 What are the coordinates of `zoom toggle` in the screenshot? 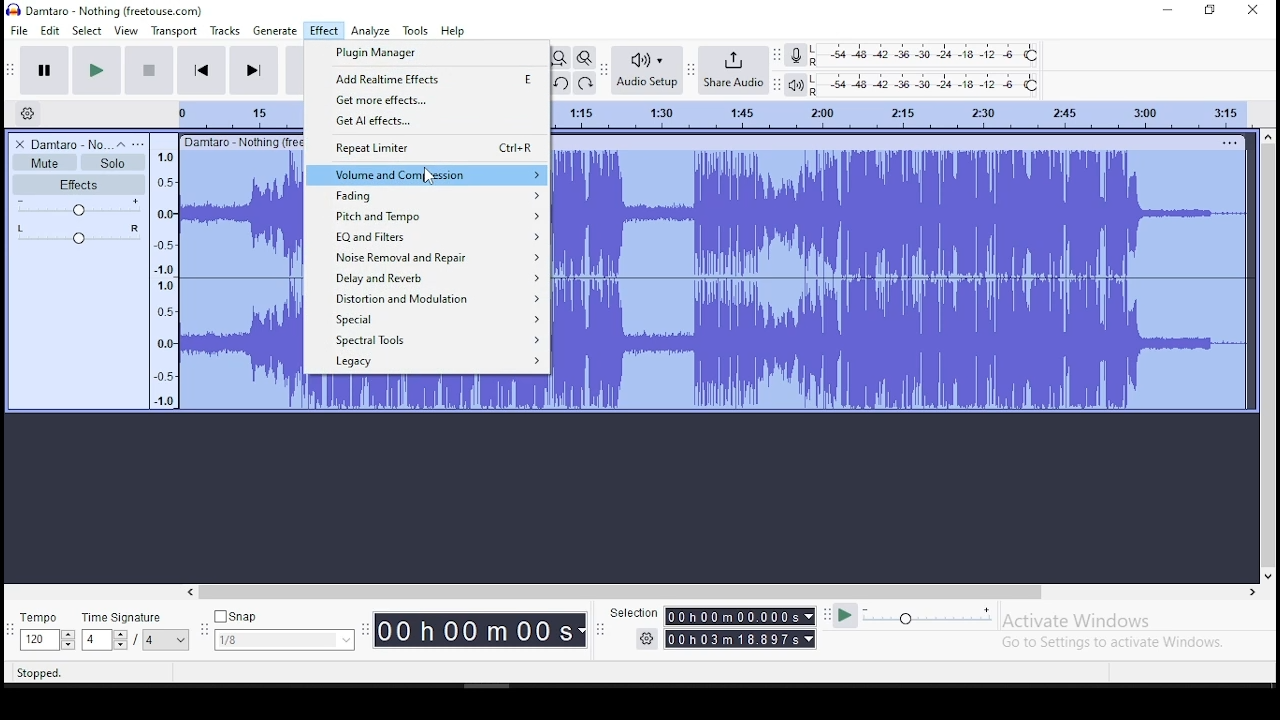 It's located at (584, 57).